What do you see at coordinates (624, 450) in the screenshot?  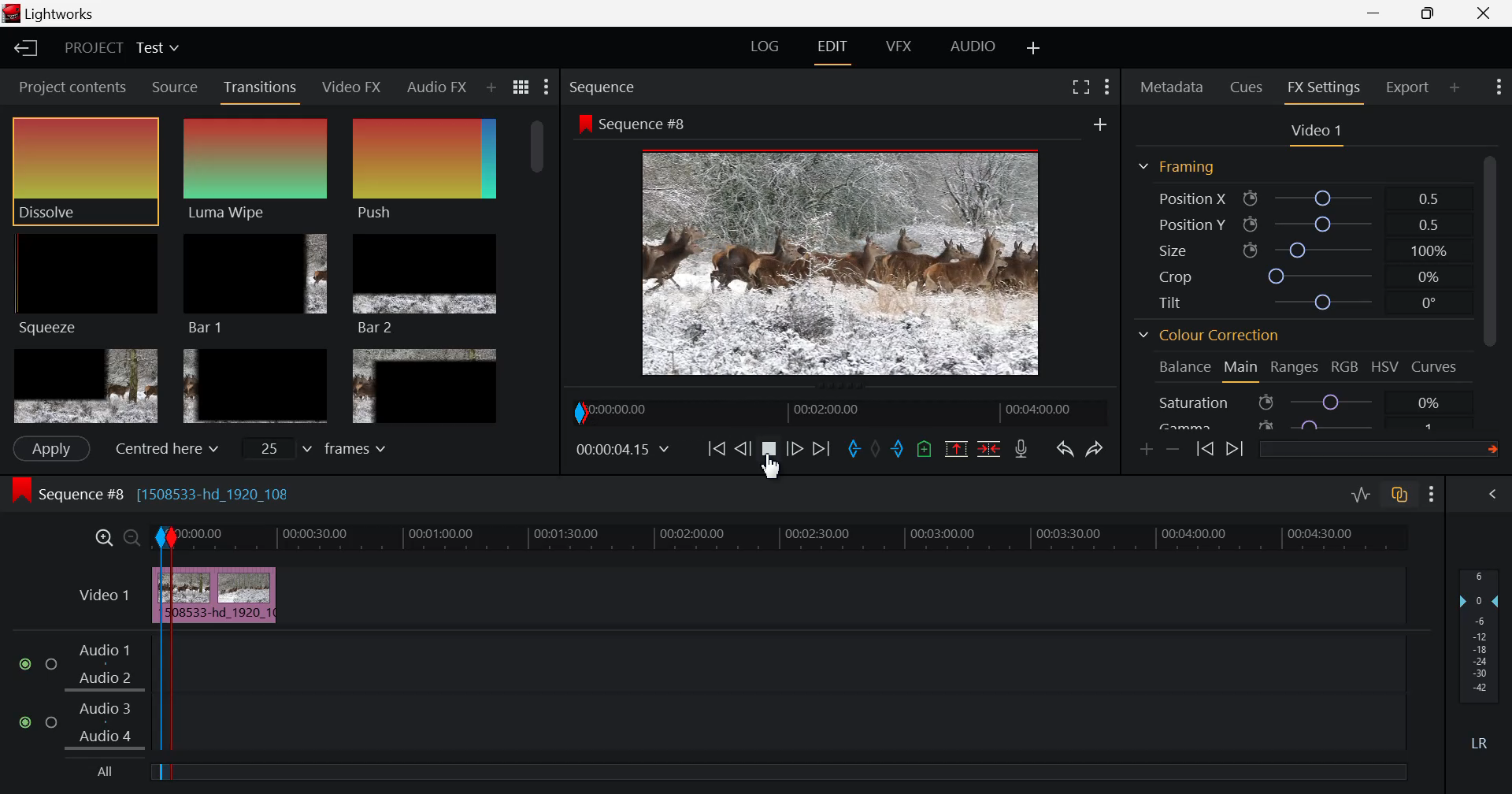 I see `Video Frame Time` at bounding box center [624, 450].